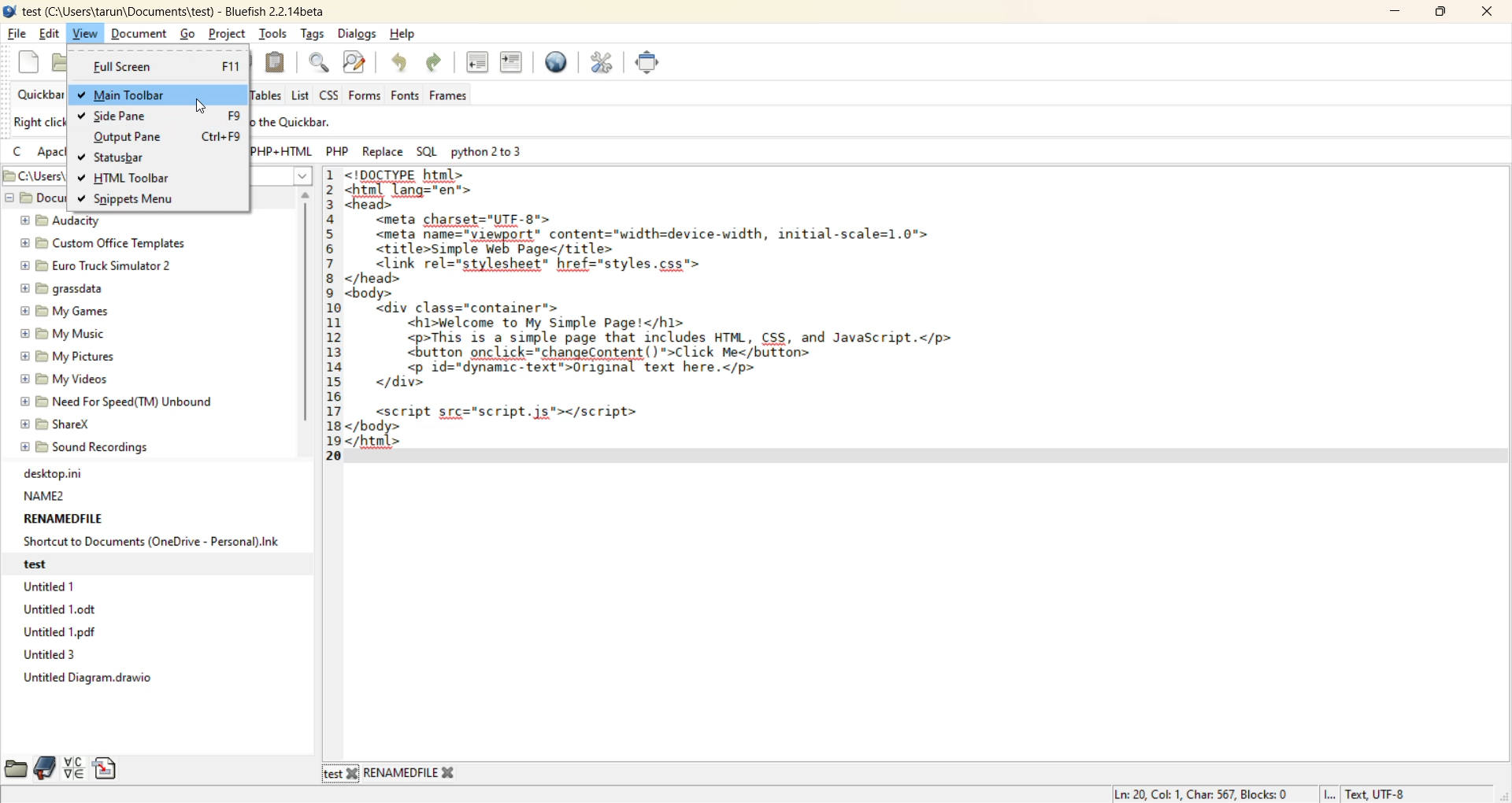  I want to click on full screen, so click(648, 65).